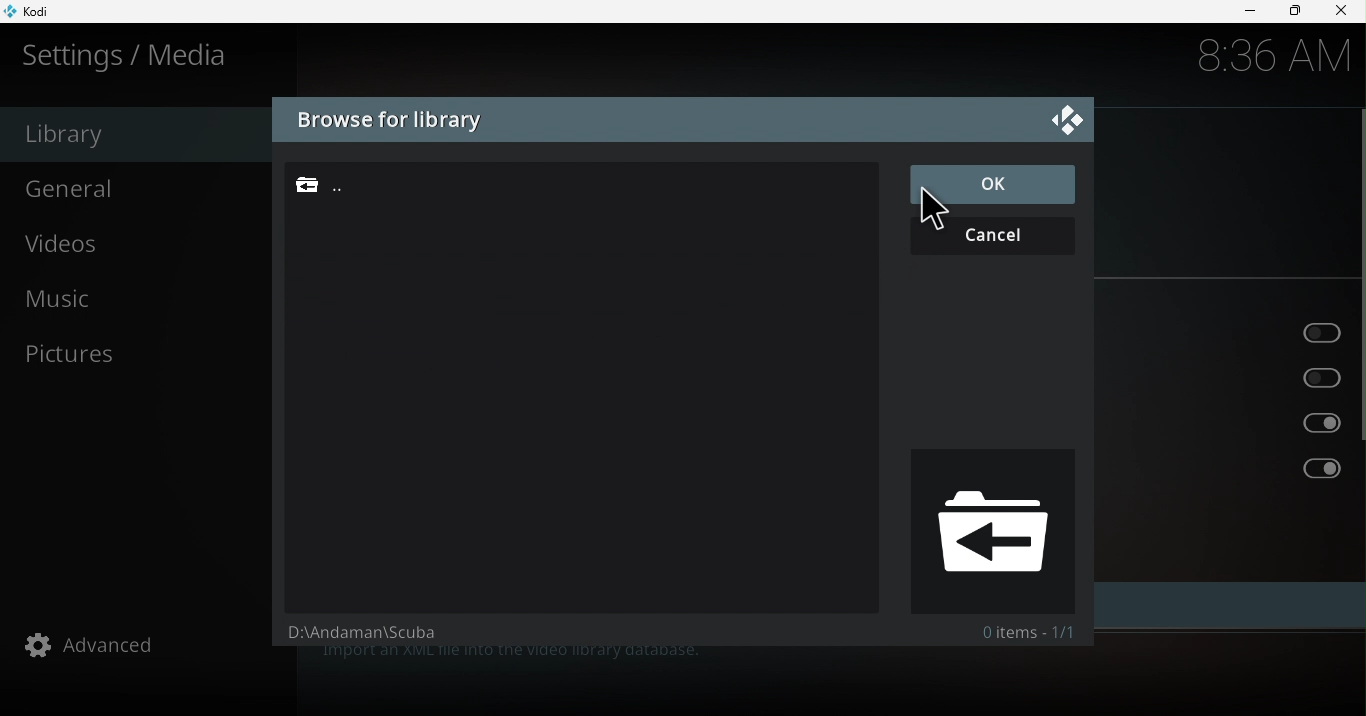  I want to click on Items, so click(1027, 632).